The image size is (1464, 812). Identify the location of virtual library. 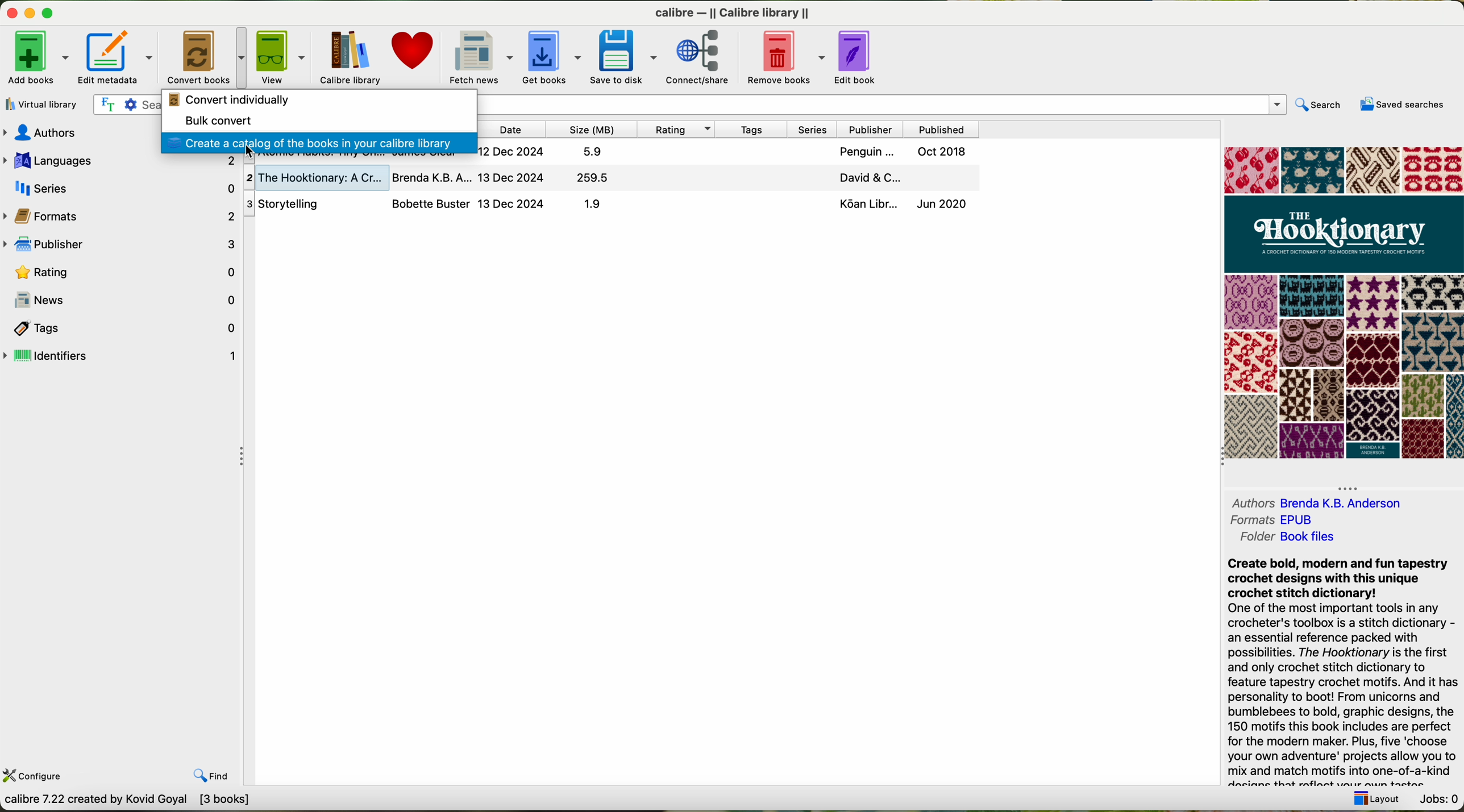
(44, 105).